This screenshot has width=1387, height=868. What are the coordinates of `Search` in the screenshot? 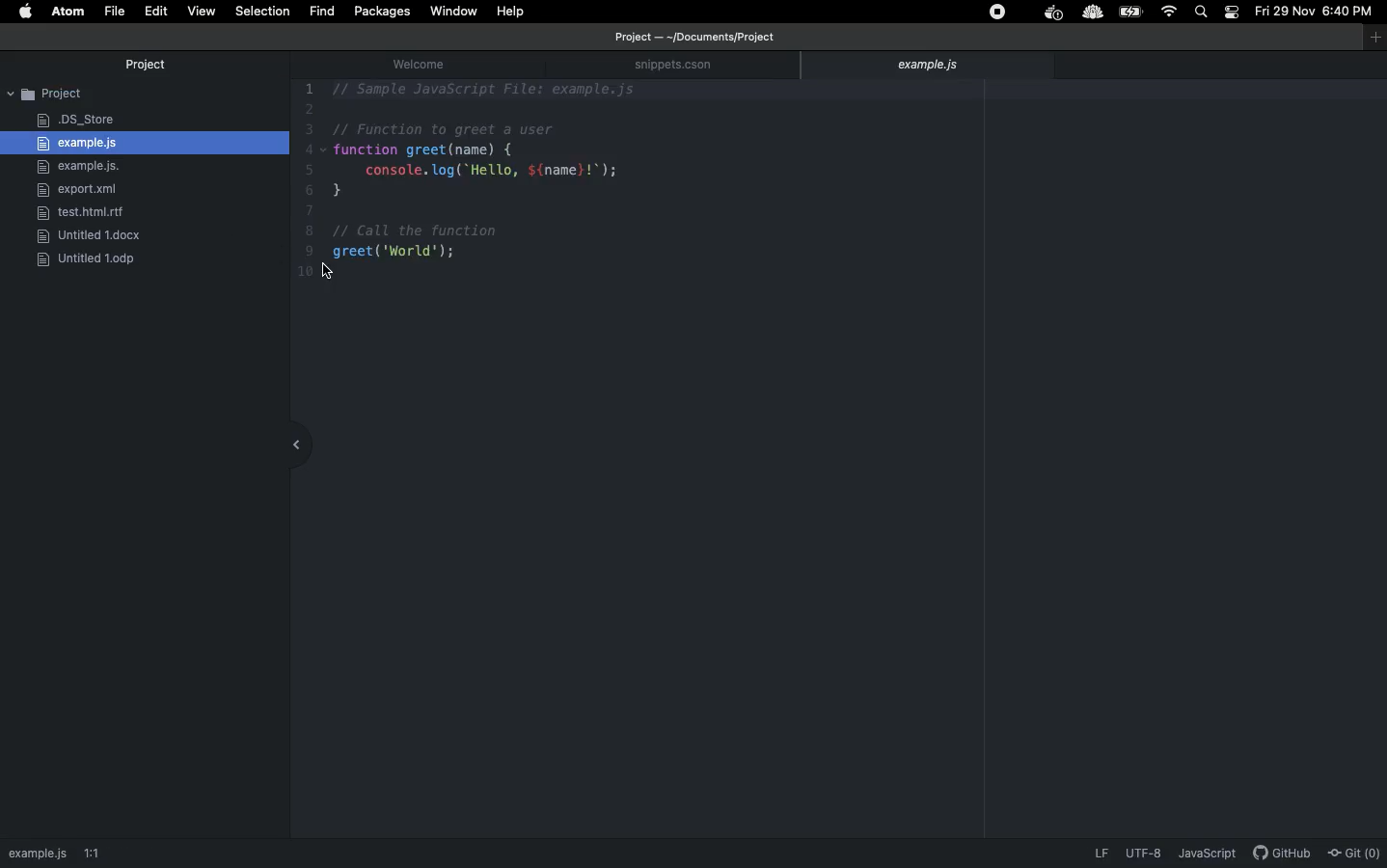 It's located at (1204, 12).